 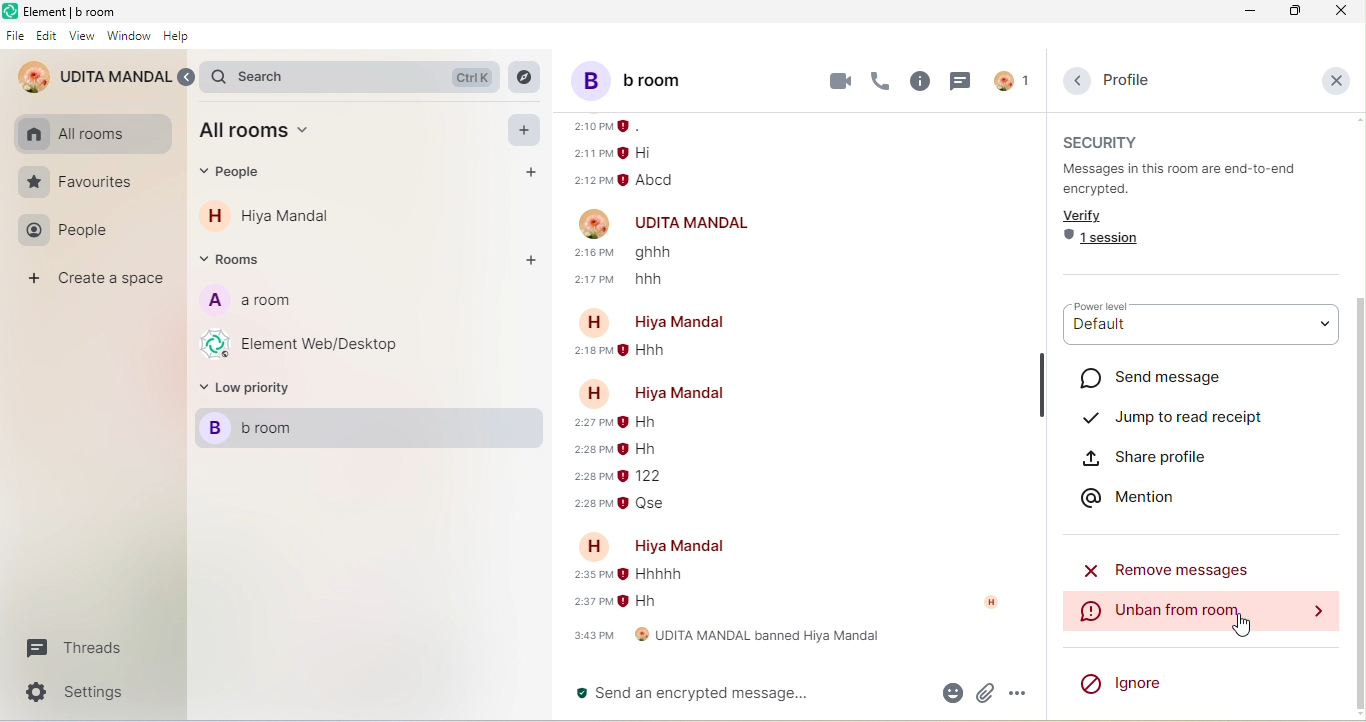 I want to click on people, so click(x=70, y=233).